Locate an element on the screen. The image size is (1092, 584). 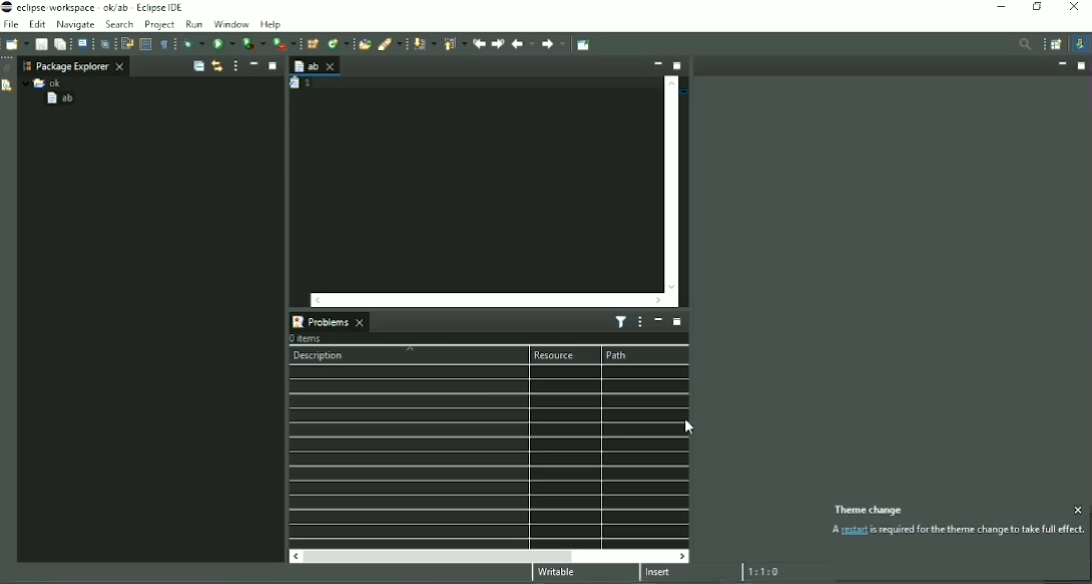
Search is located at coordinates (390, 44).